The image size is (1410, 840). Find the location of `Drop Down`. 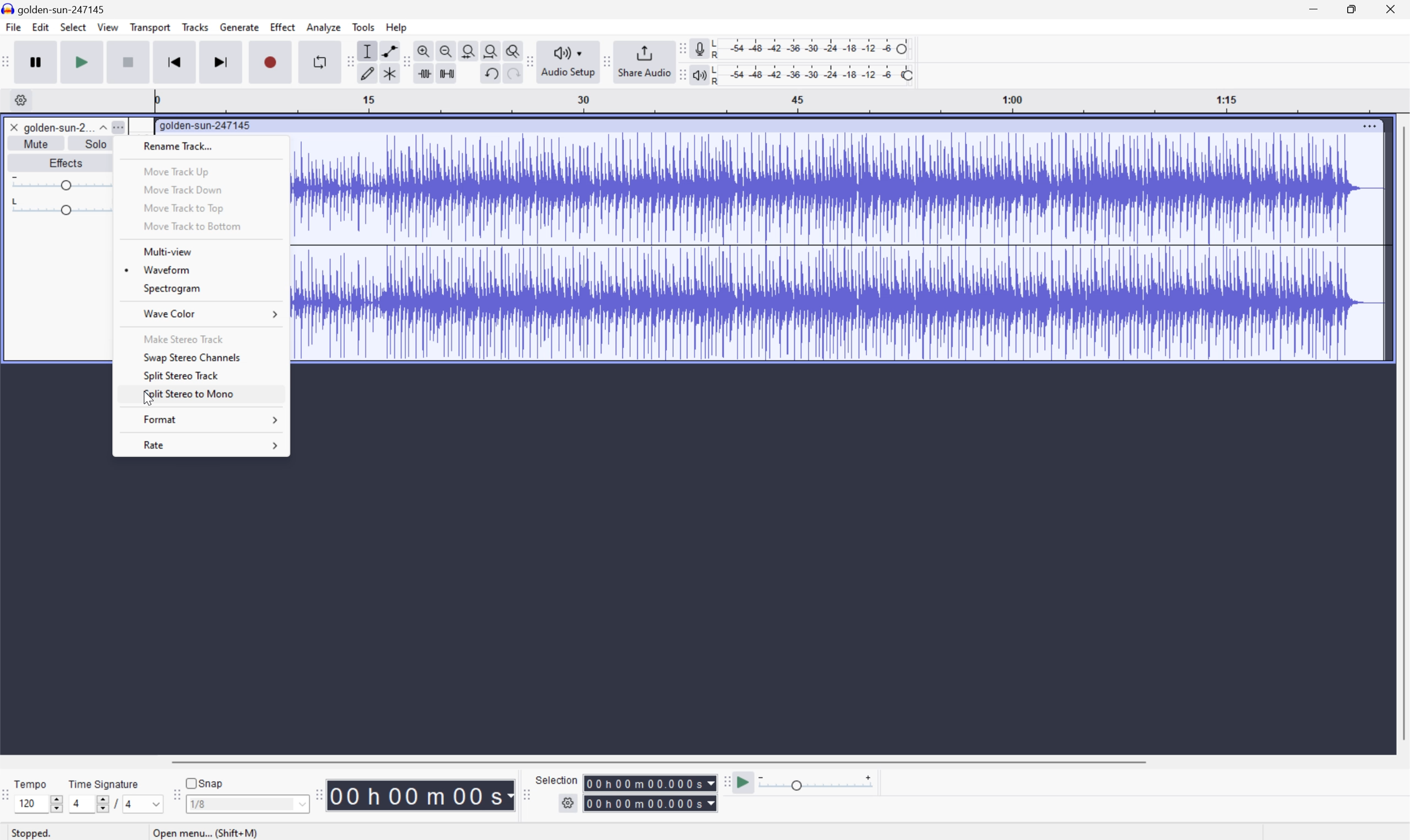

Drop Down is located at coordinates (156, 803).